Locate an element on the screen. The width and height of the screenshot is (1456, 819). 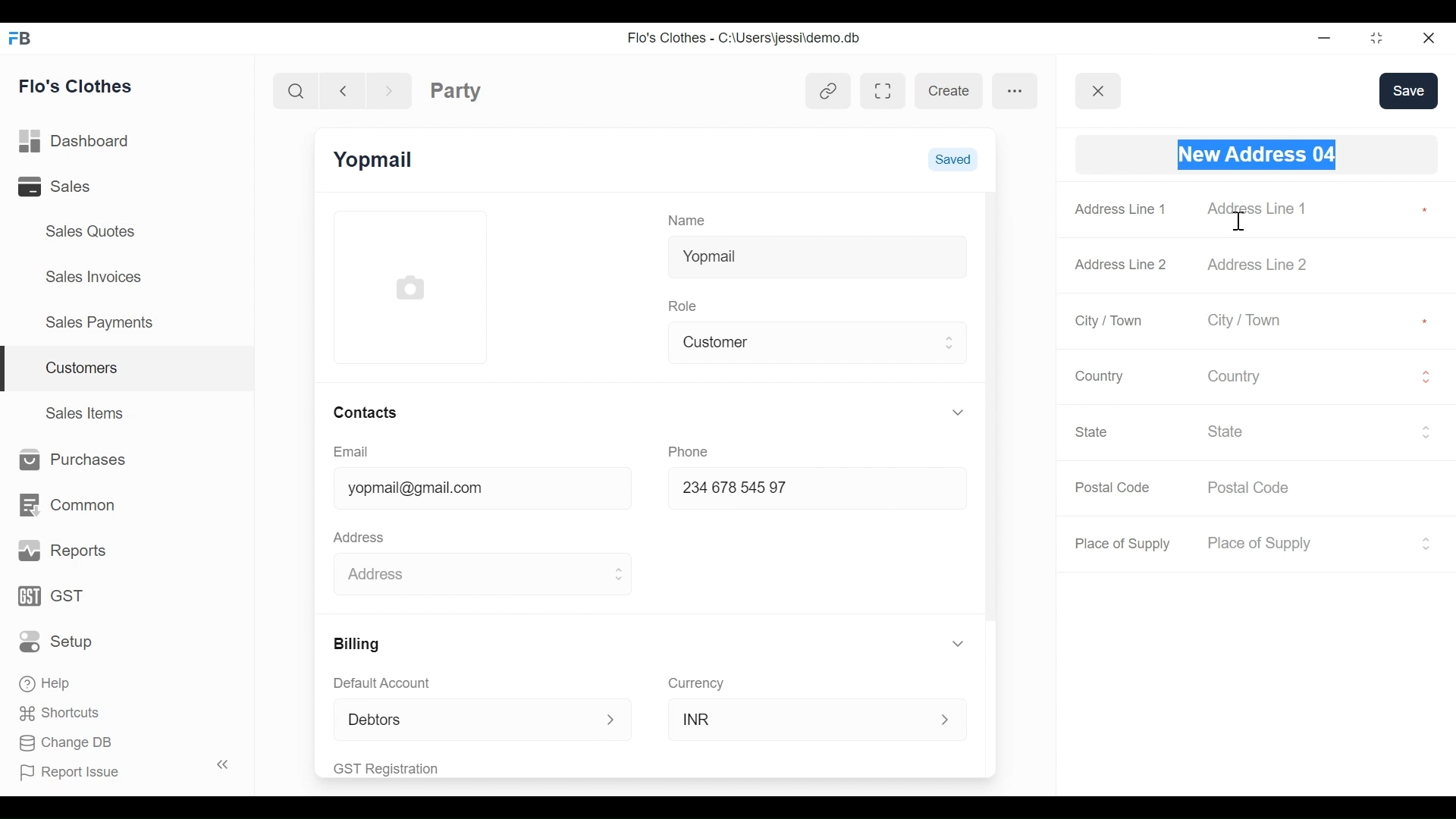
Yopmail is located at coordinates (375, 160).